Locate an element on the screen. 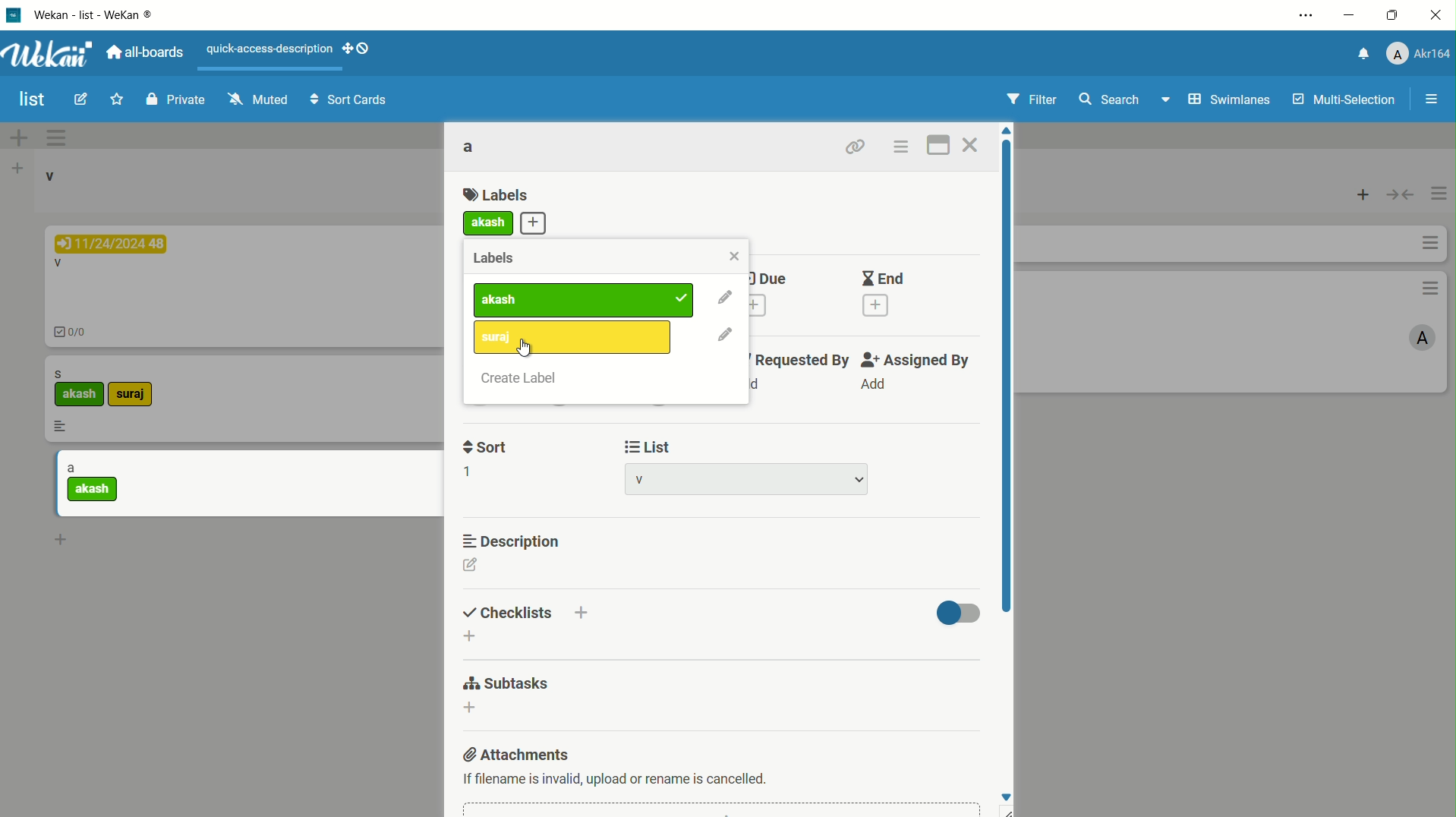 This screenshot has height=817, width=1456. description is located at coordinates (509, 541).